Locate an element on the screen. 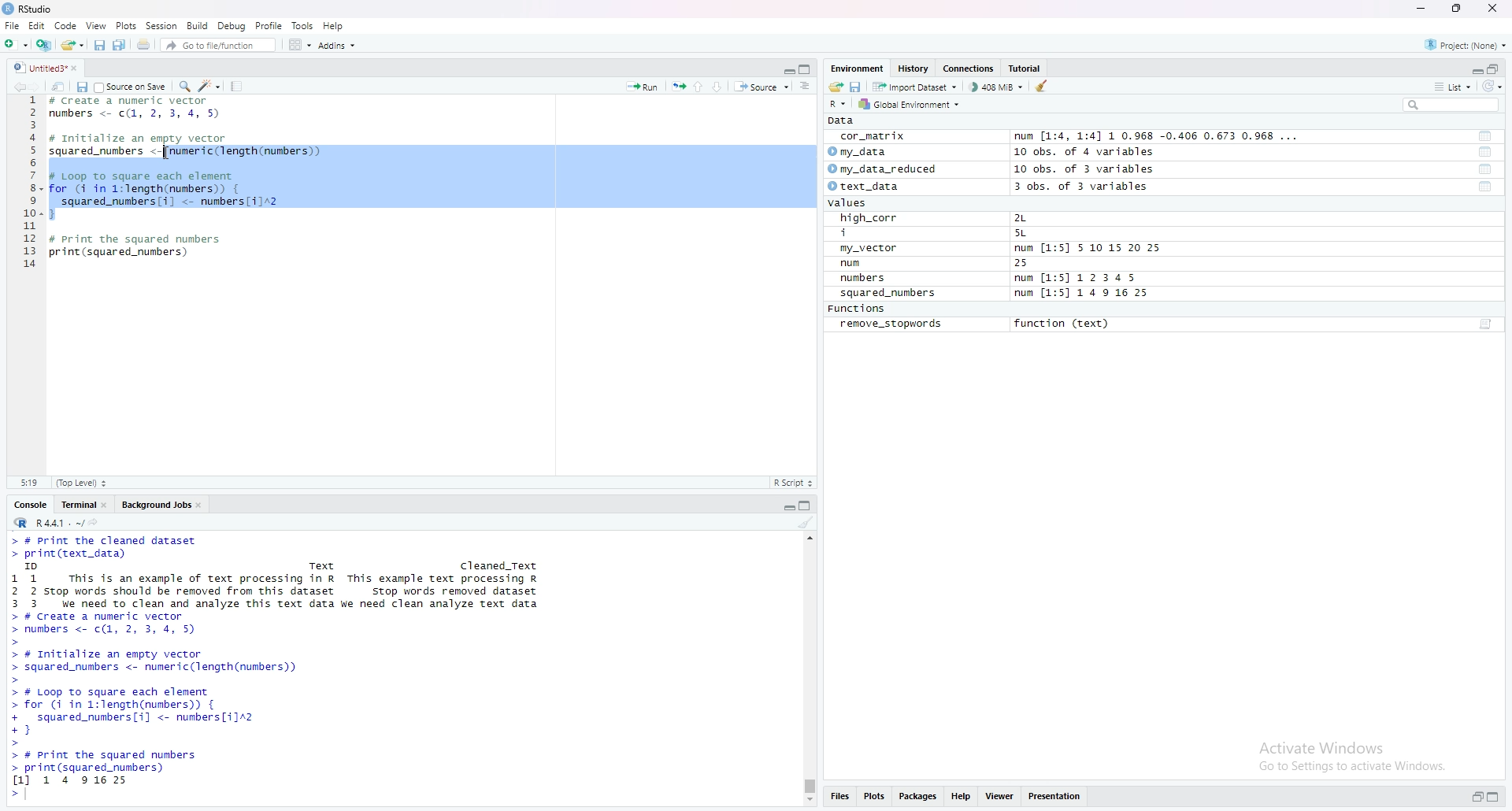  pata is located at coordinates (845, 120).